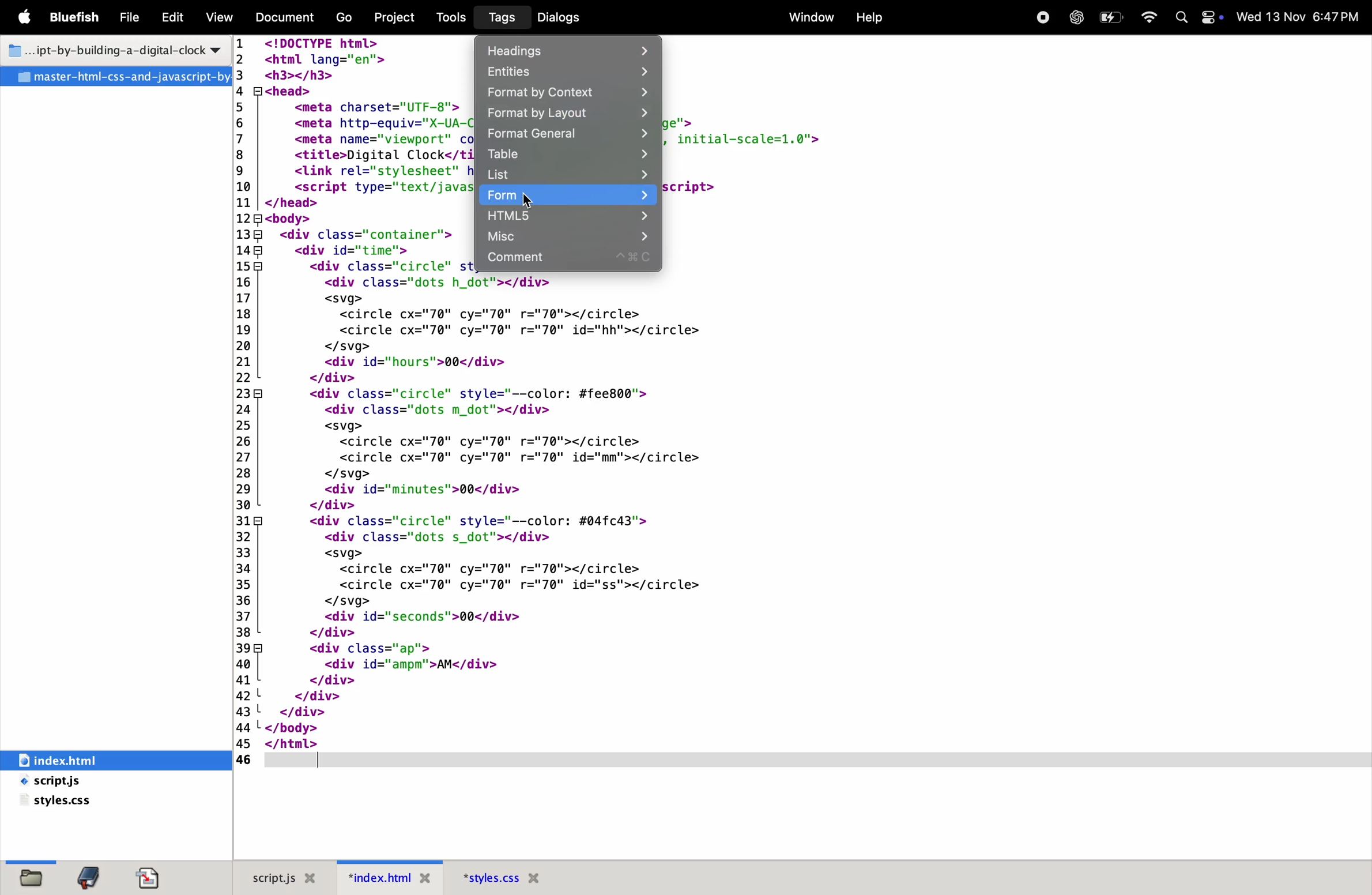 This screenshot has width=1372, height=895. What do you see at coordinates (568, 114) in the screenshot?
I see `format by layout` at bounding box center [568, 114].